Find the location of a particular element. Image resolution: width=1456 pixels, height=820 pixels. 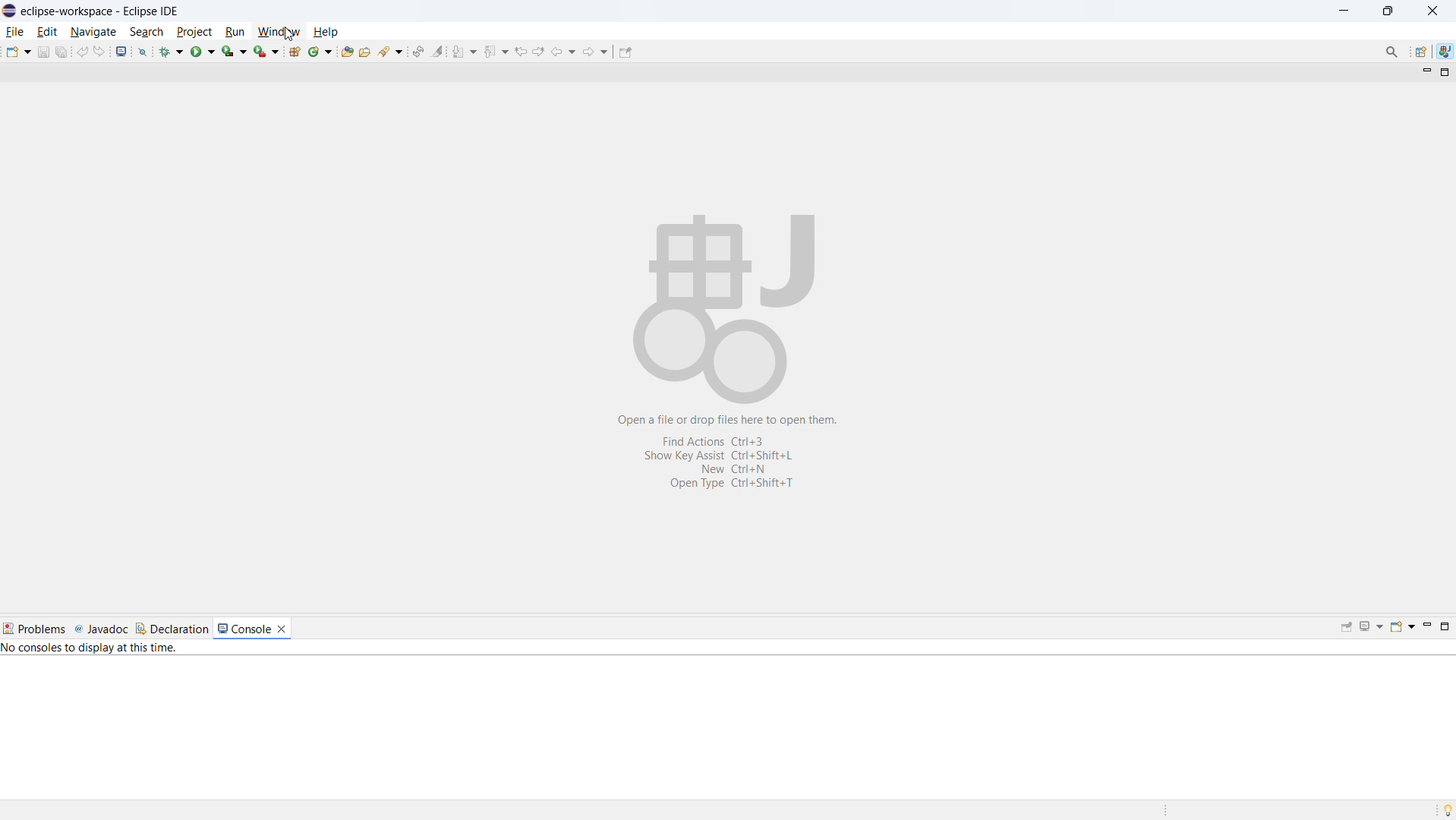

minimize is located at coordinates (1426, 628).